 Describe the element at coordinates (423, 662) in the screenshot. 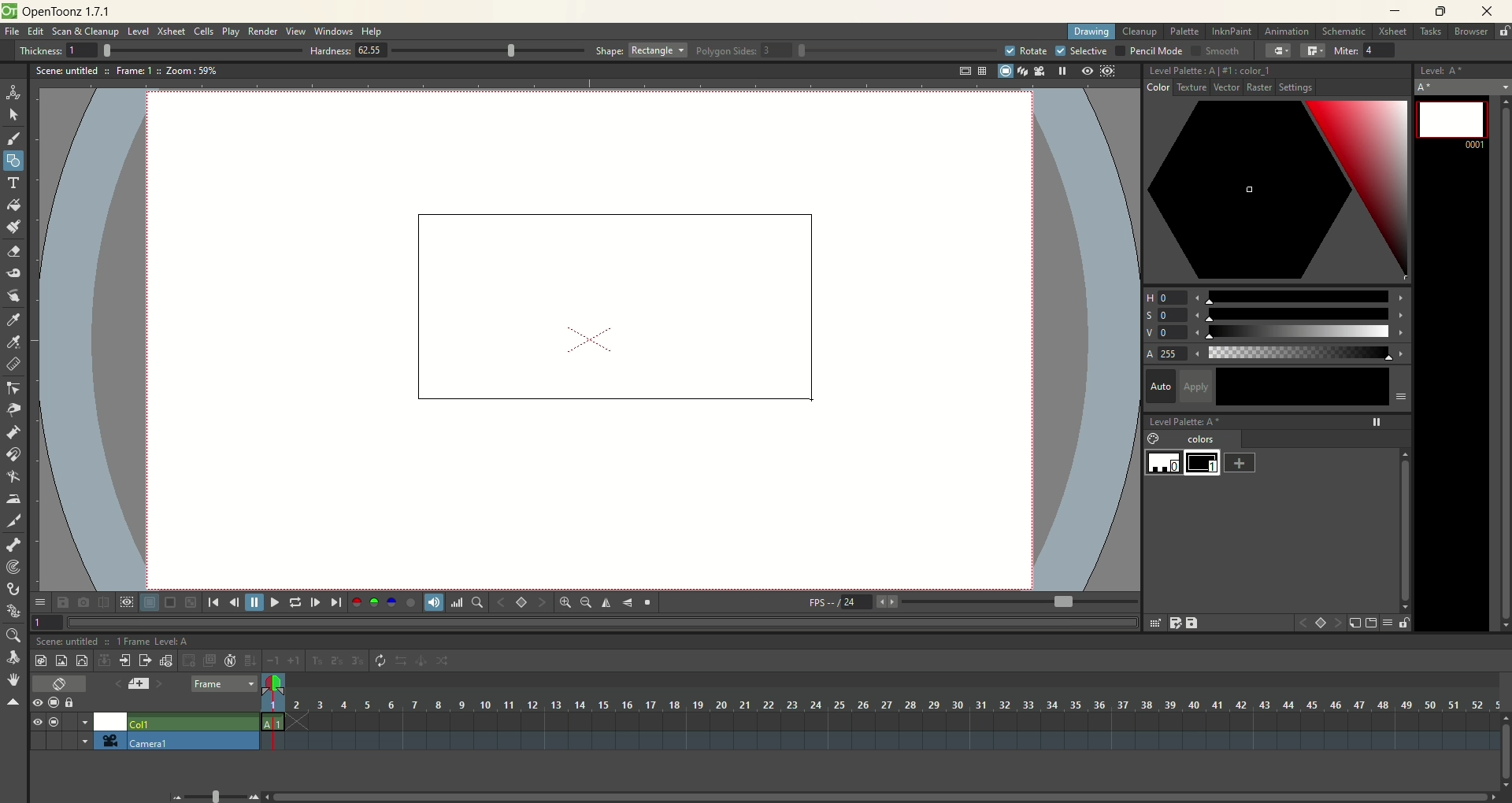

I see `` at that location.